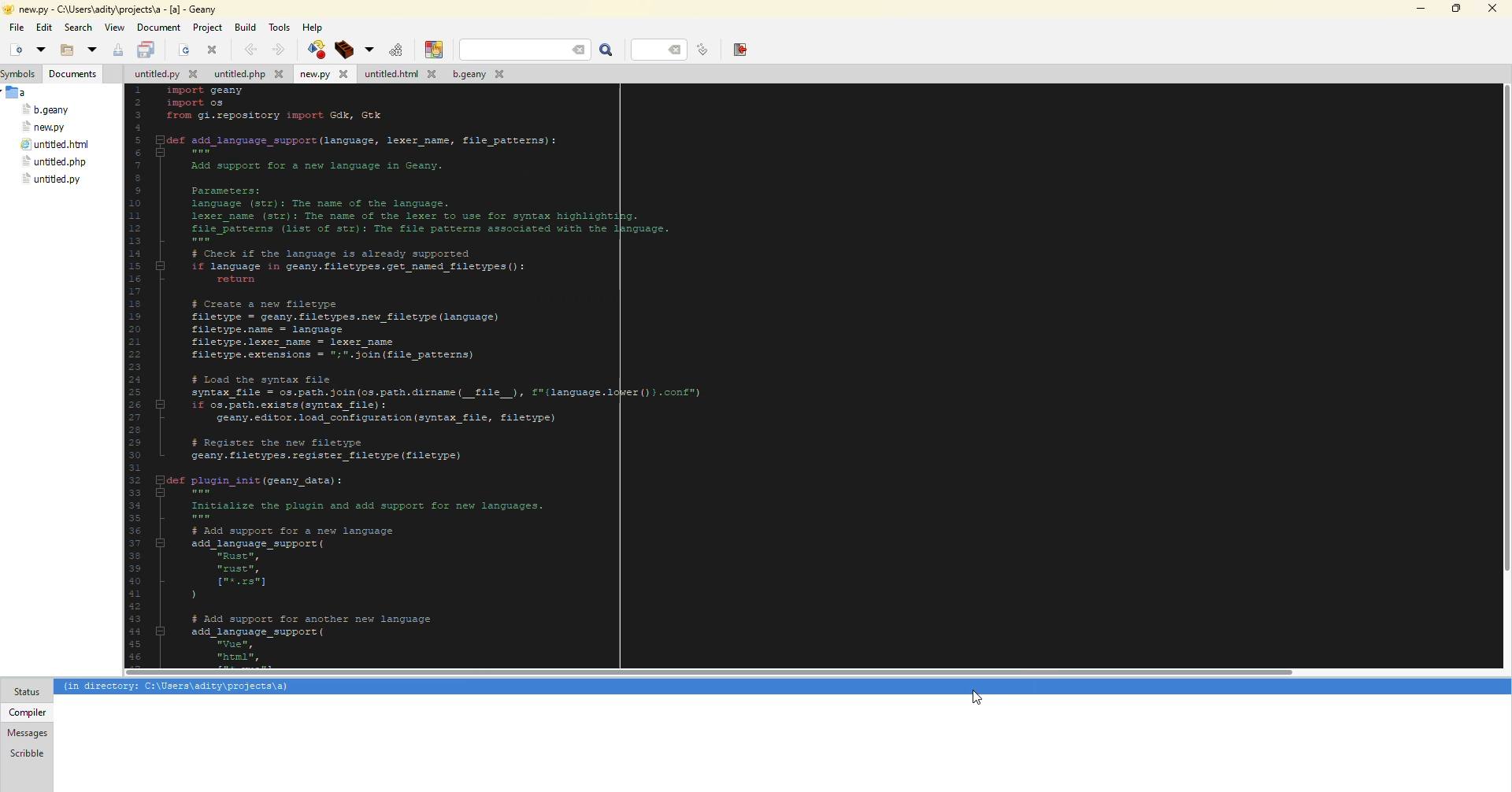  I want to click on file, so click(476, 76).